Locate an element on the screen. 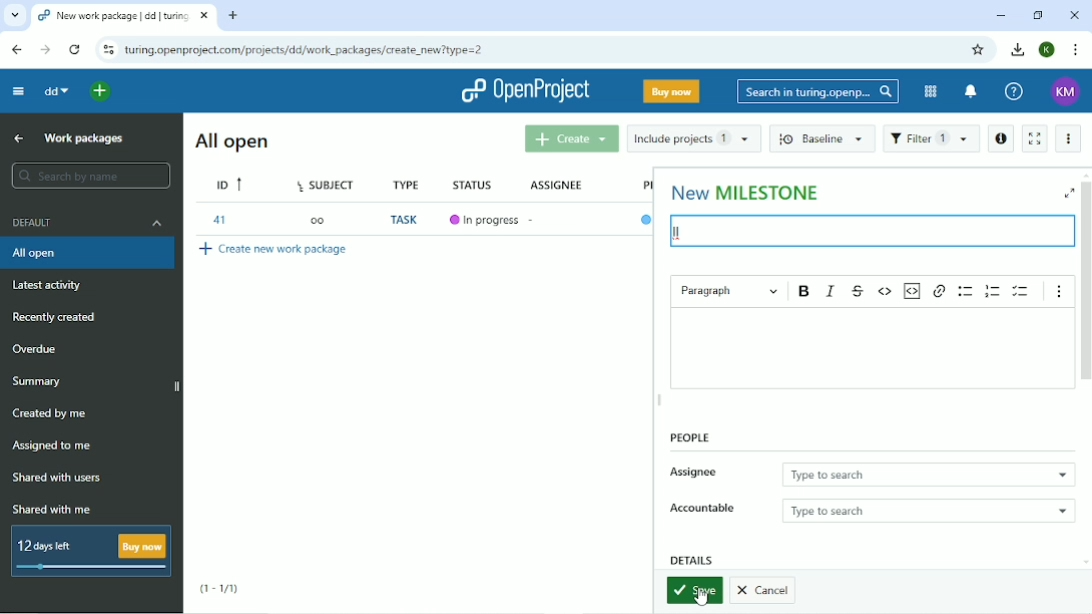 Image resolution: width=1092 pixels, height=614 pixels. Shared with me is located at coordinates (49, 509).